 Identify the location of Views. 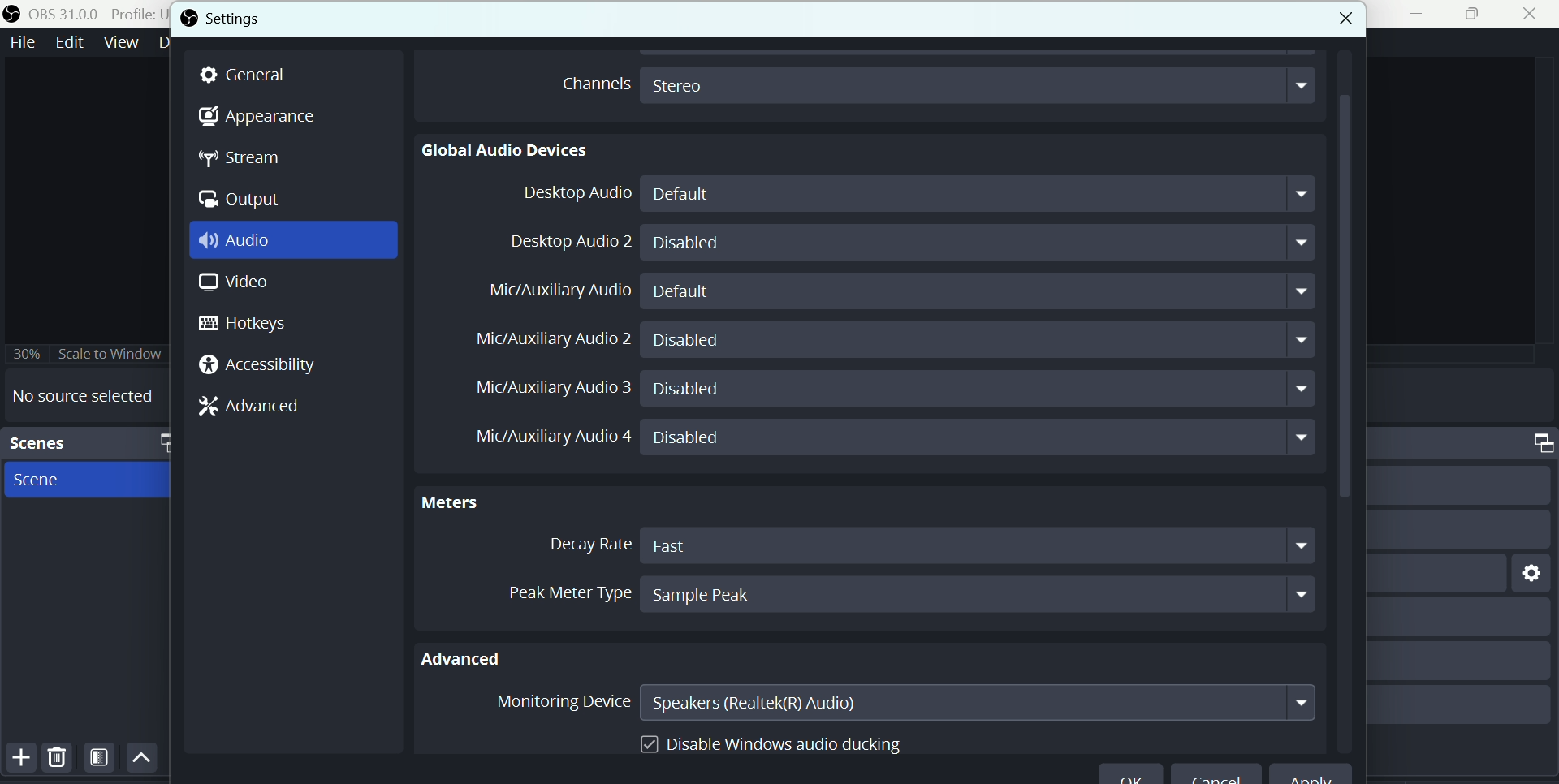
(123, 41).